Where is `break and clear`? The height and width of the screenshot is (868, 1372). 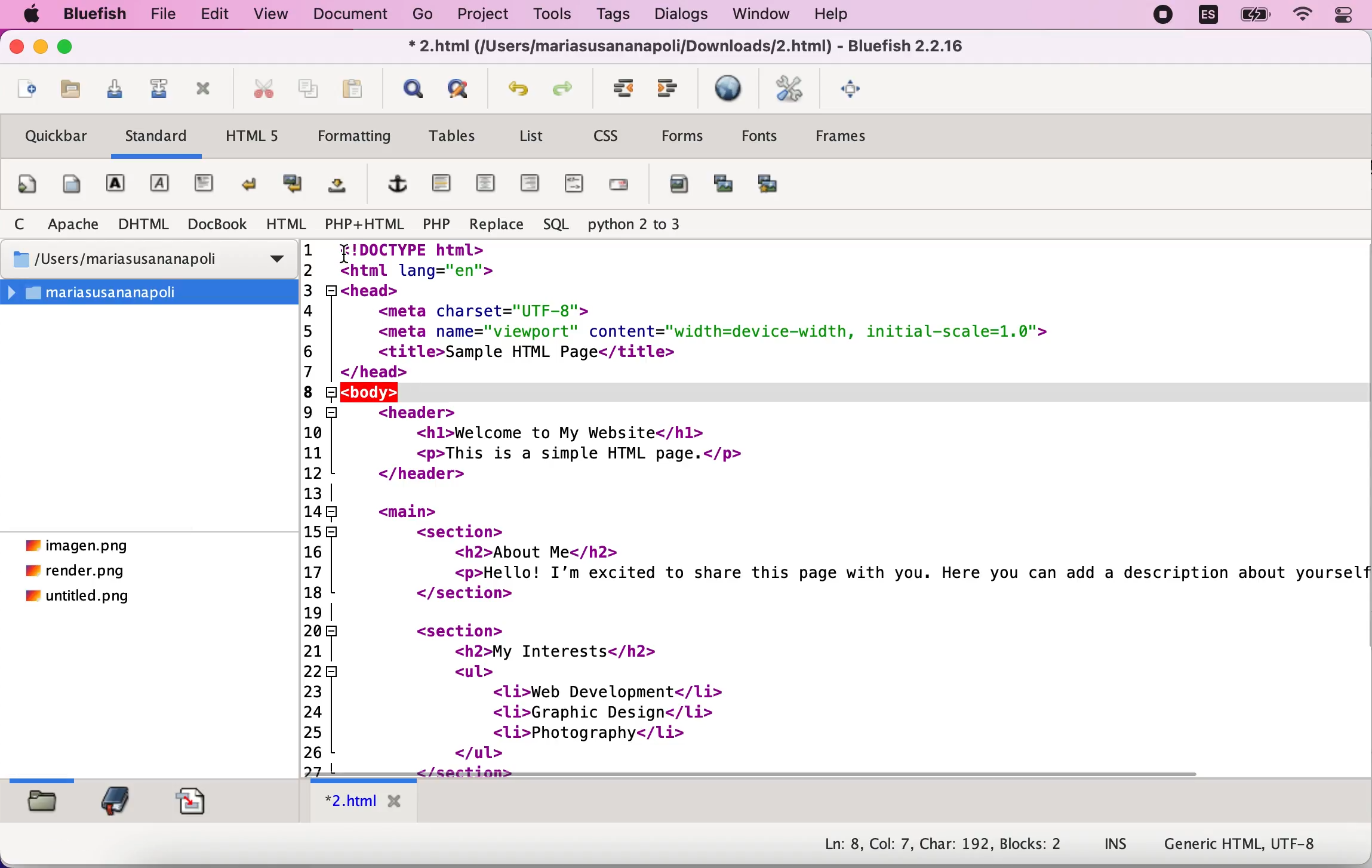
break and clear is located at coordinates (291, 186).